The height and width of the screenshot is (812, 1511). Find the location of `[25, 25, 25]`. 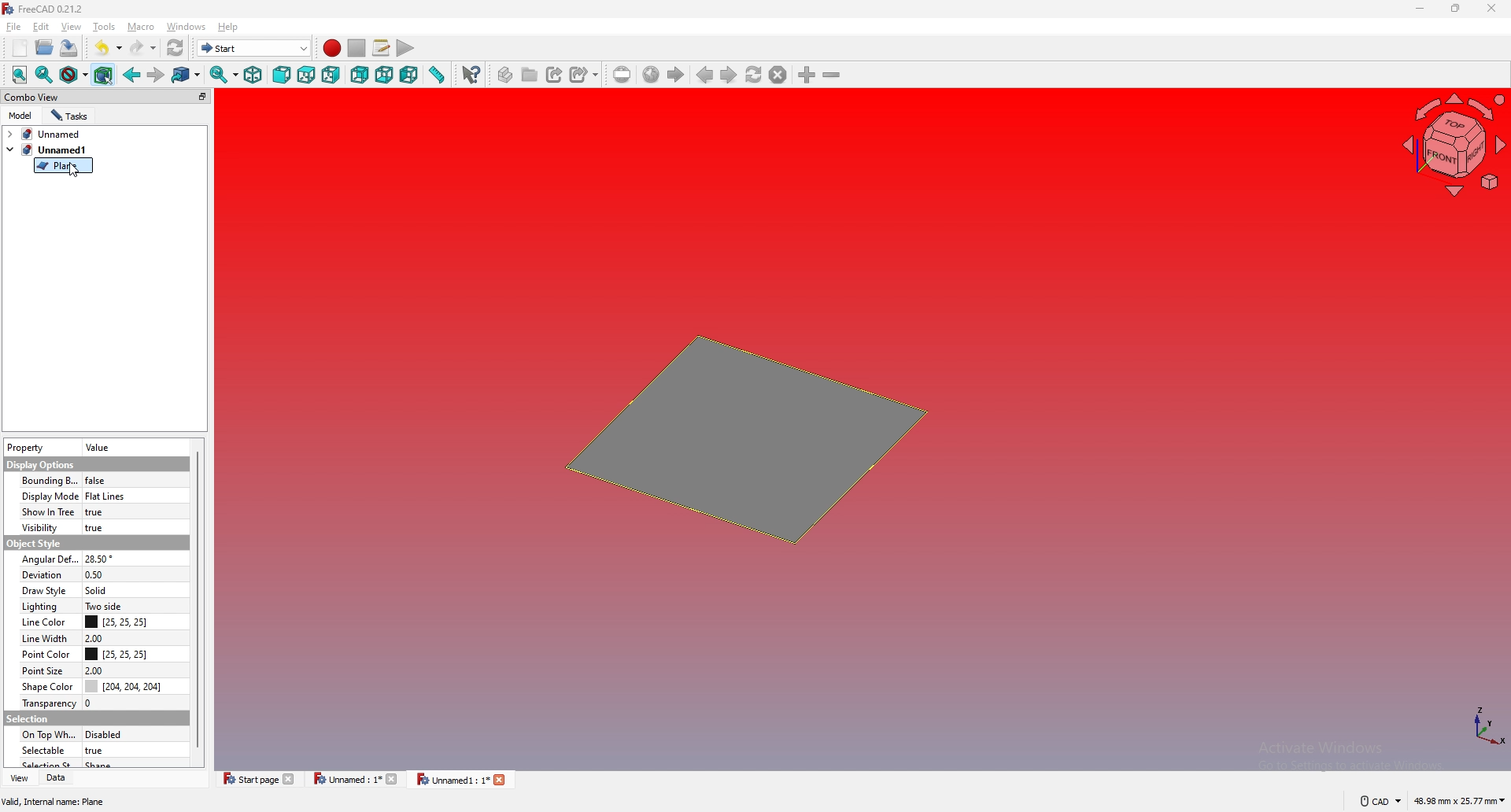

[25, 25, 25] is located at coordinates (120, 622).